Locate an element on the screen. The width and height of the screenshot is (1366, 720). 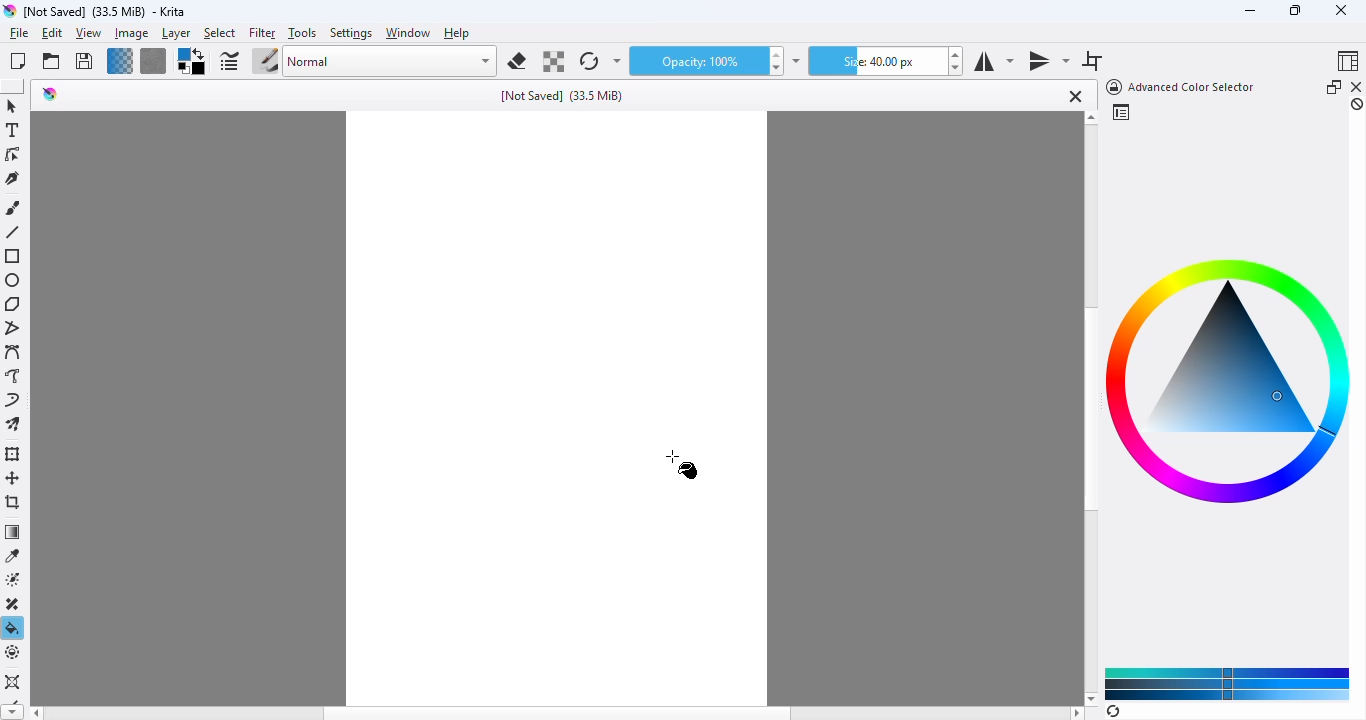
freehand path tool is located at coordinates (14, 375).